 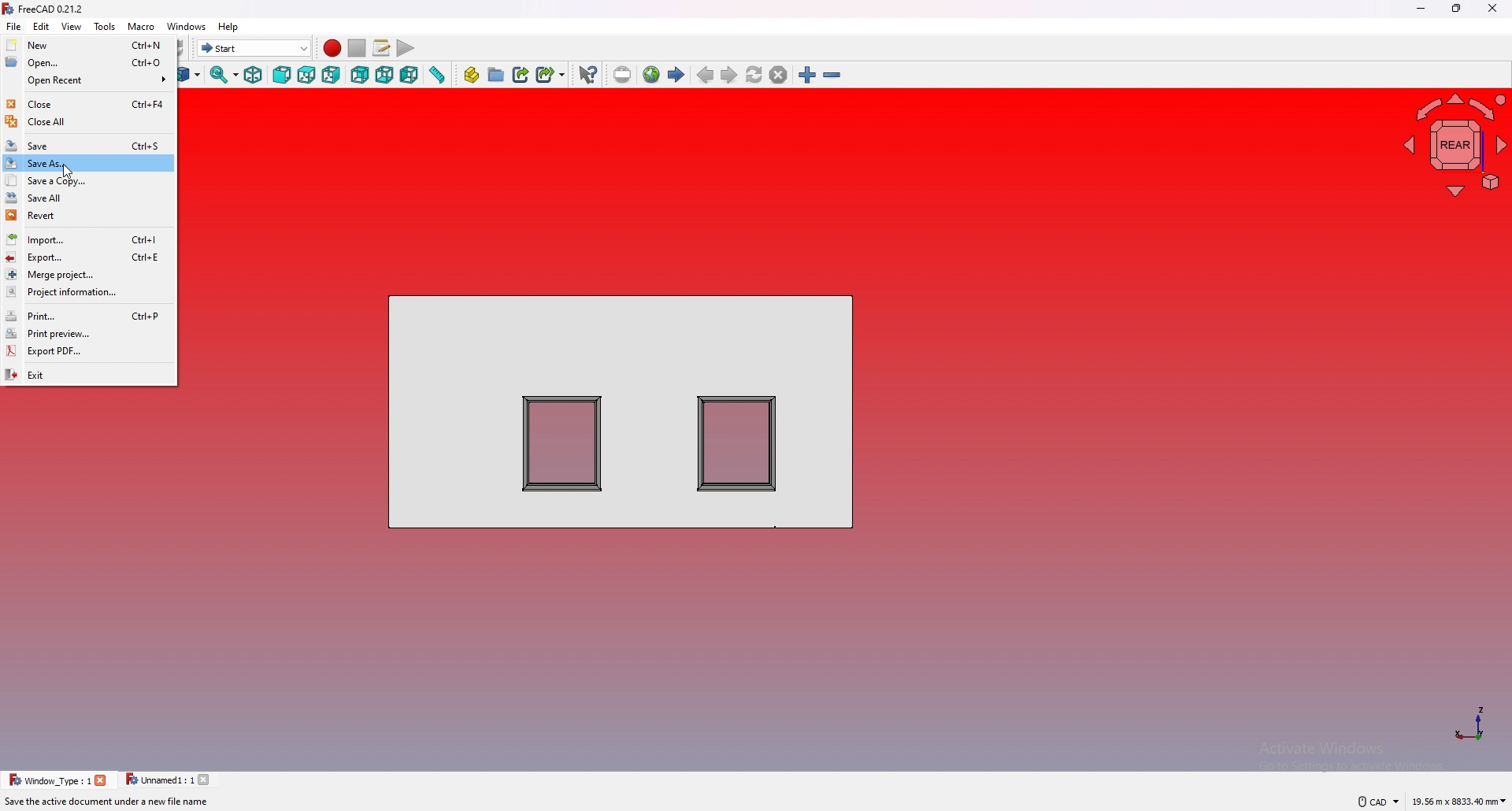 What do you see at coordinates (89, 316) in the screenshot?
I see `print ctrl+p` at bounding box center [89, 316].